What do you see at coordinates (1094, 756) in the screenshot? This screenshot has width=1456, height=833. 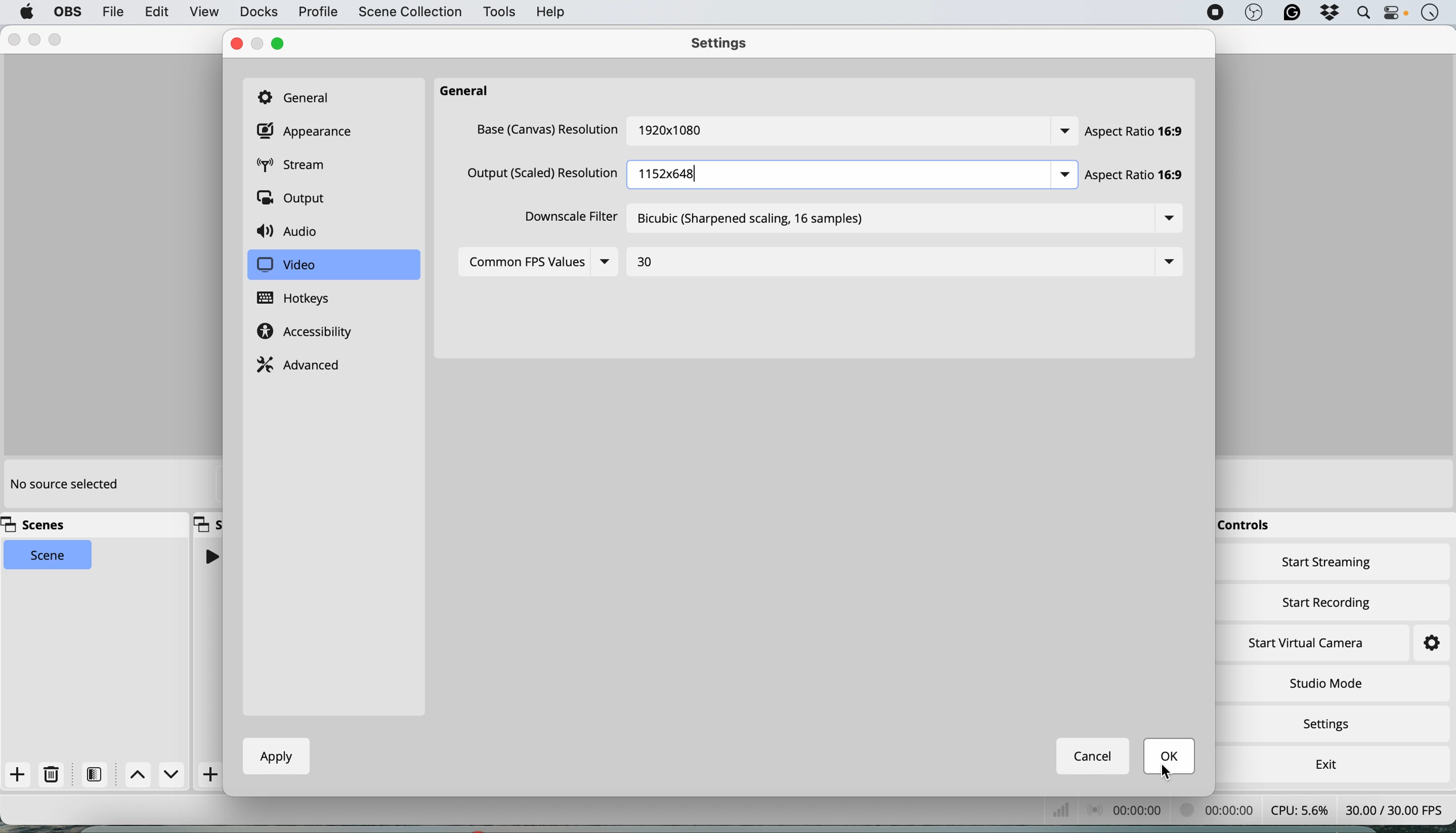 I see `cancel` at bounding box center [1094, 756].